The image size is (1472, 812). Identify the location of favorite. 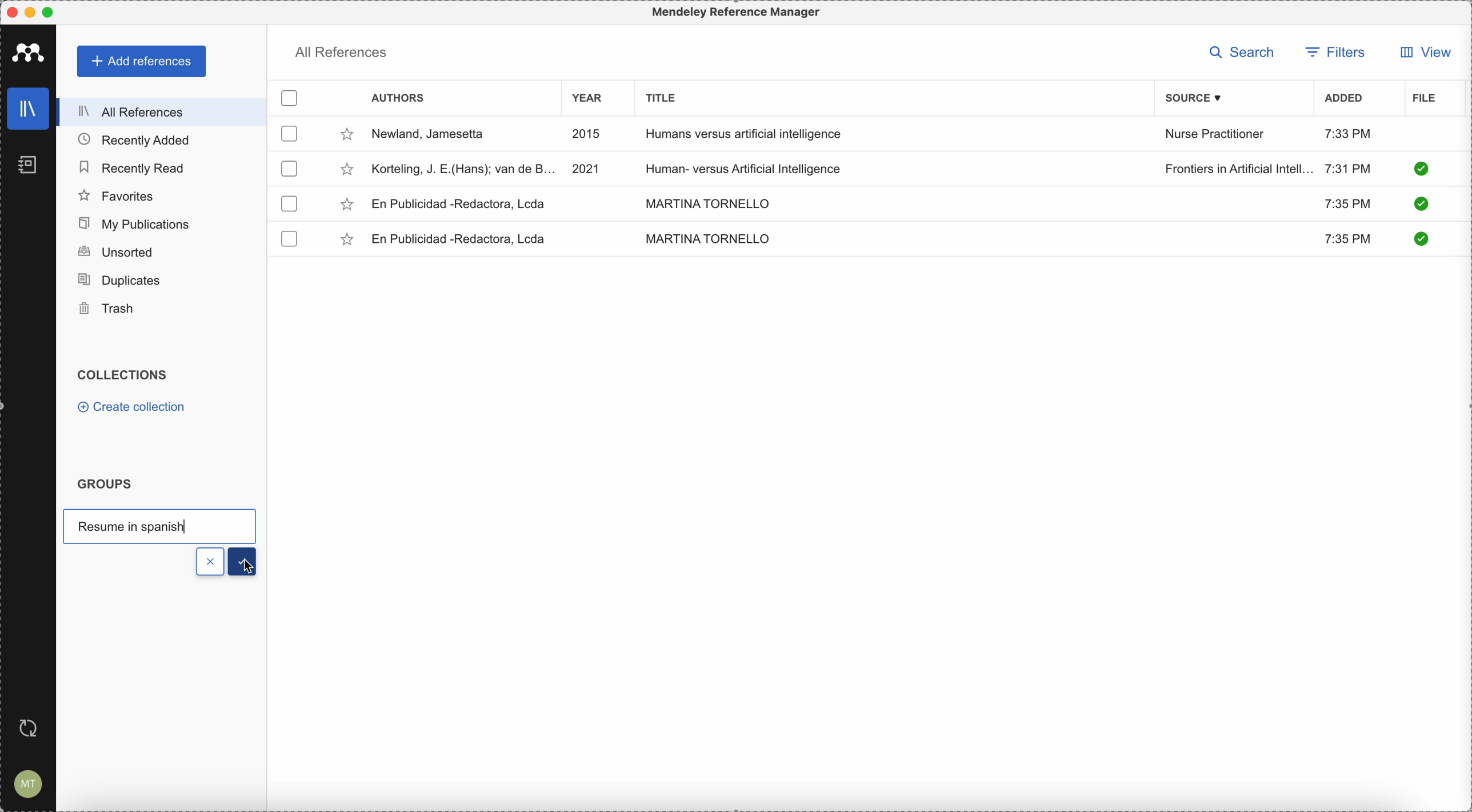
(349, 241).